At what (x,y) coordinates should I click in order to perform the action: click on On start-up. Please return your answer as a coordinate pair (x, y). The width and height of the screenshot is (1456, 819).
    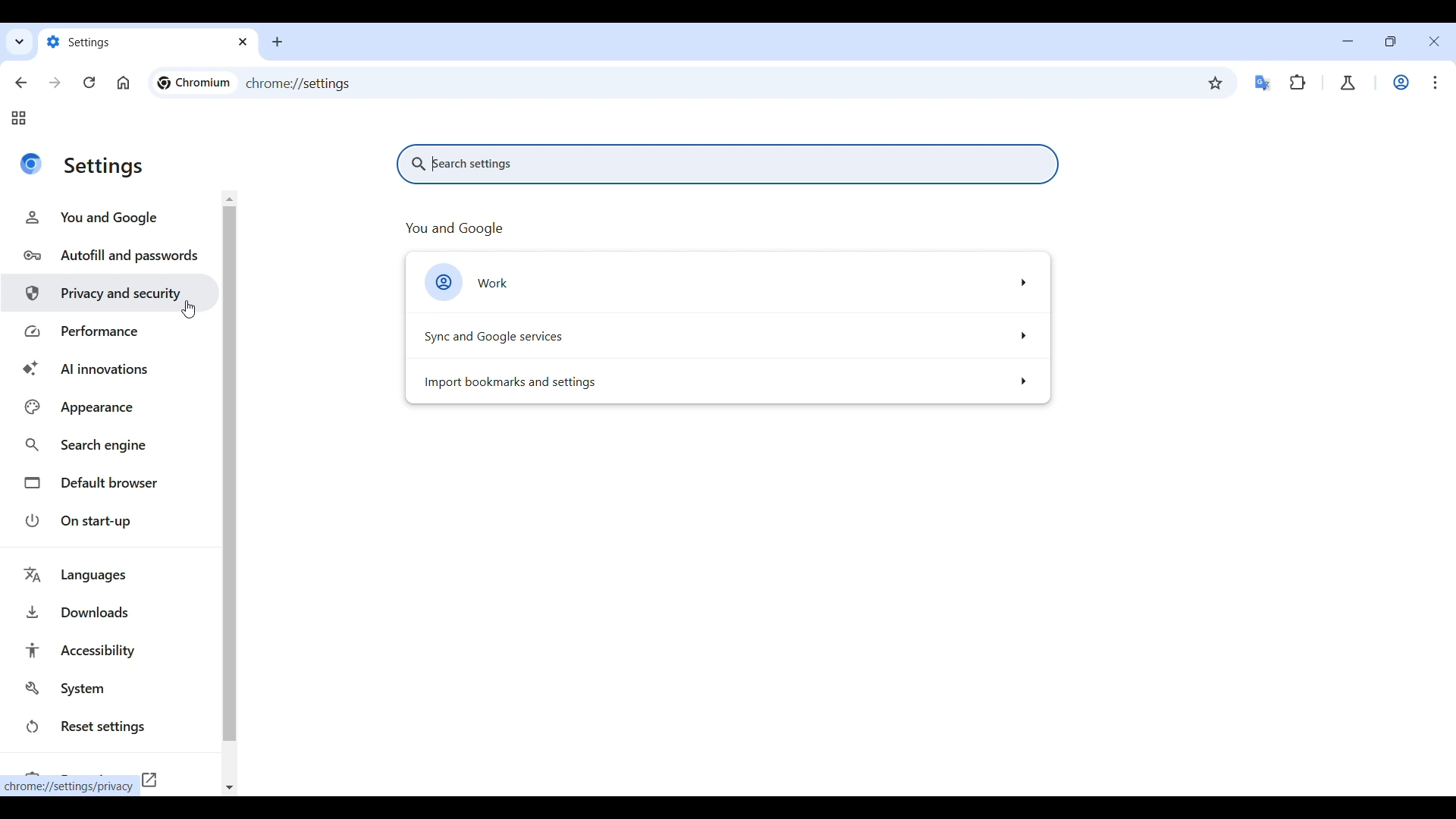
    Looking at the image, I should click on (112, 521).